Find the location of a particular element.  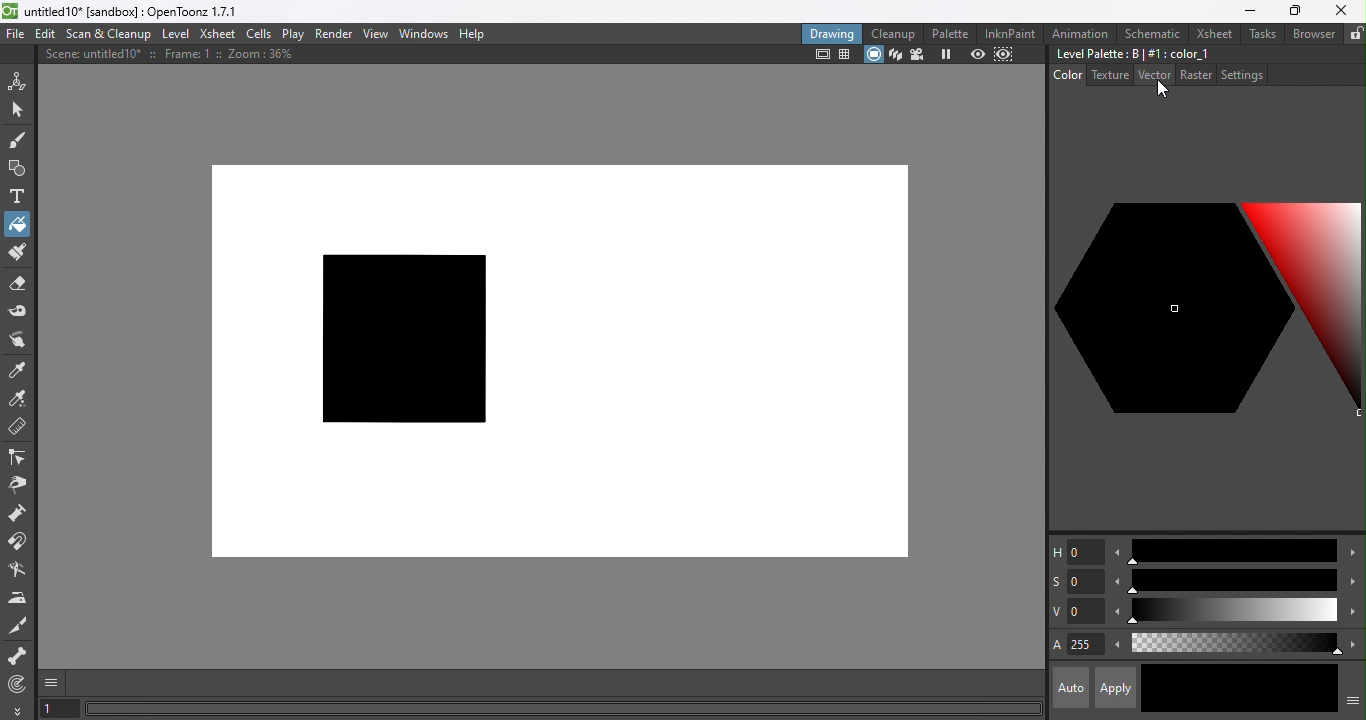

Browser is located at coordinates (1313, 33).